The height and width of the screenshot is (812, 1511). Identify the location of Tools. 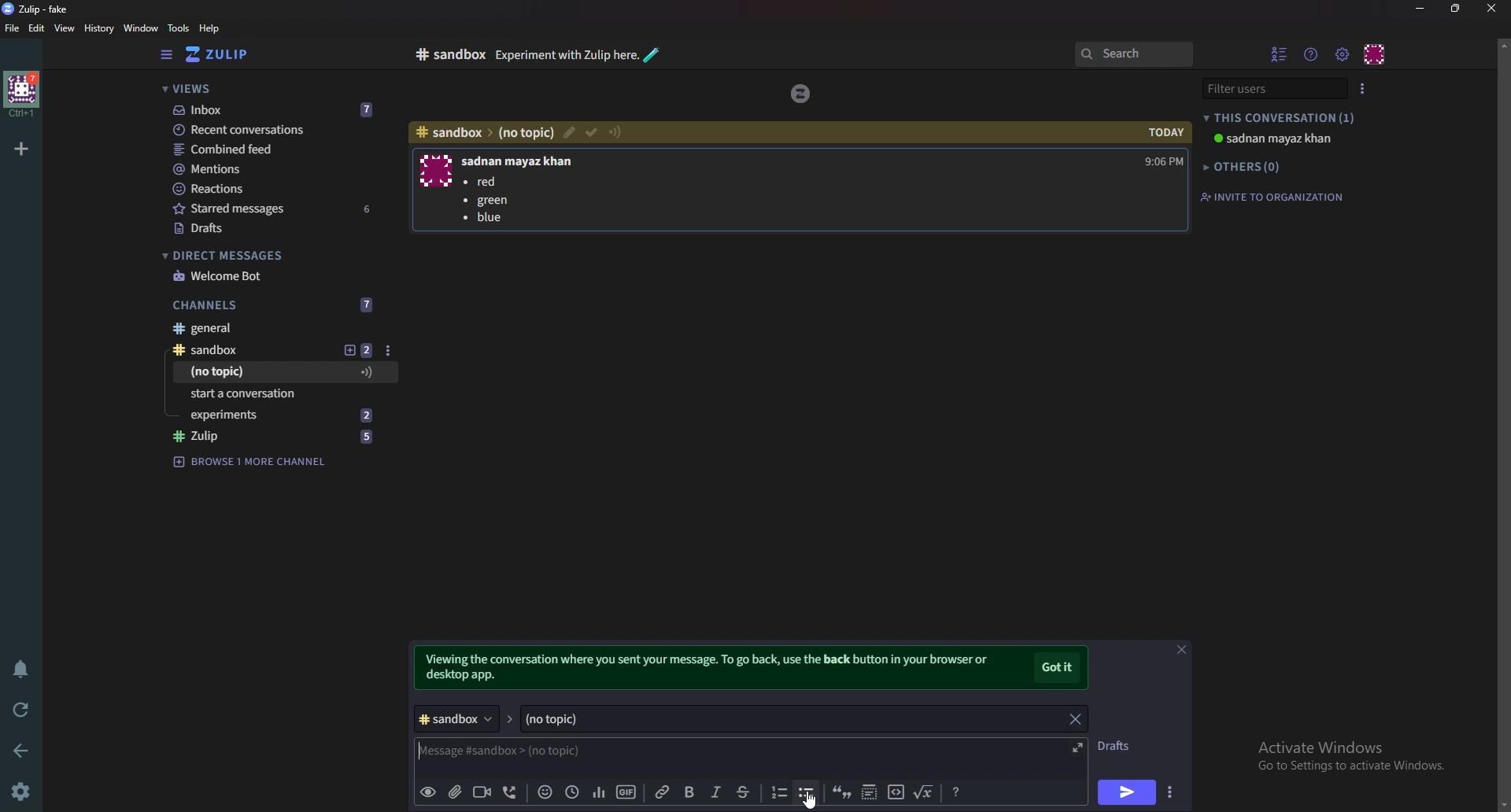
(179, 28).